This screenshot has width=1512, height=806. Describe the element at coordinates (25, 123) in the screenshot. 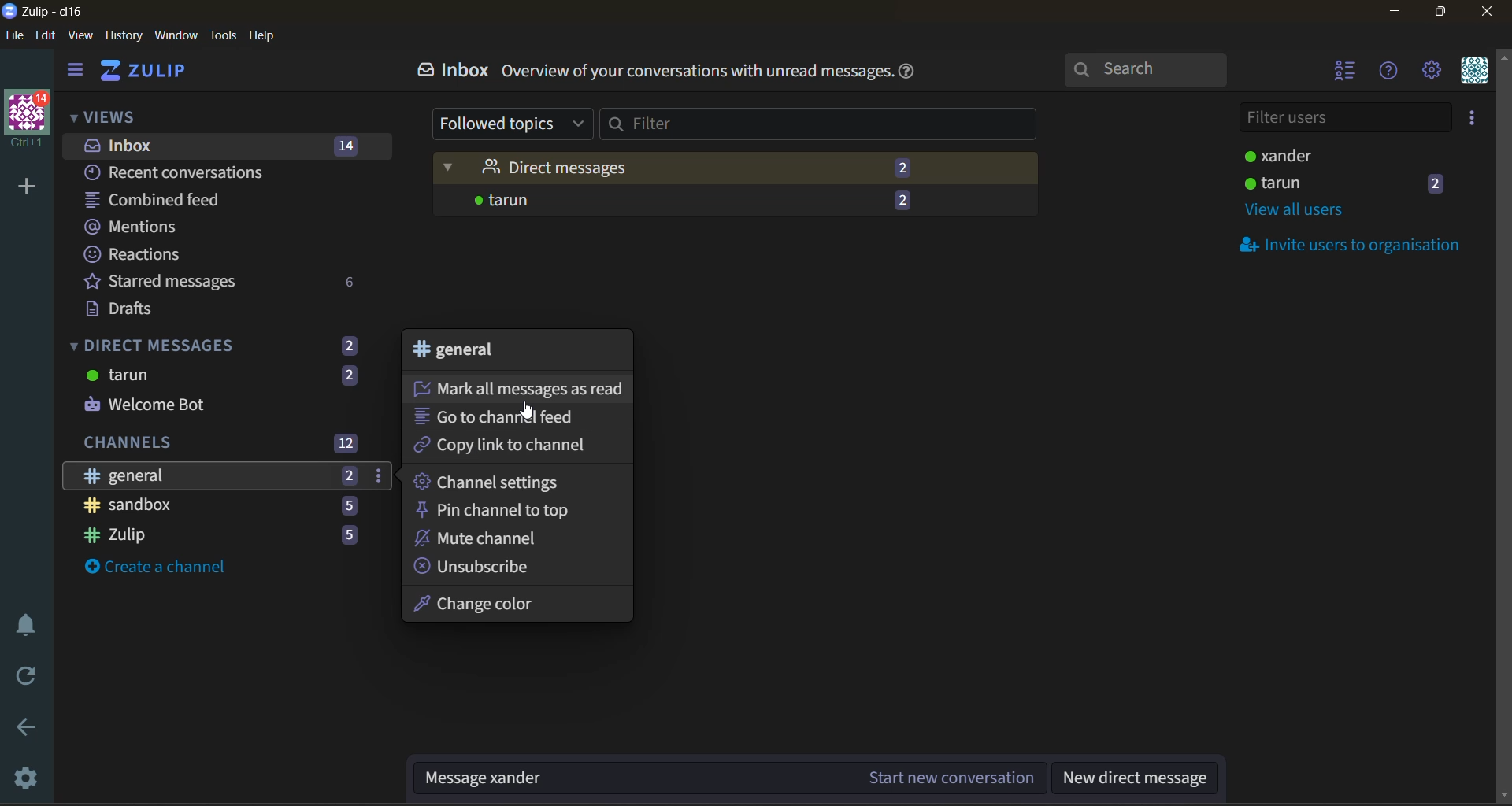

I see `Logo with 14 notifications` at that location.